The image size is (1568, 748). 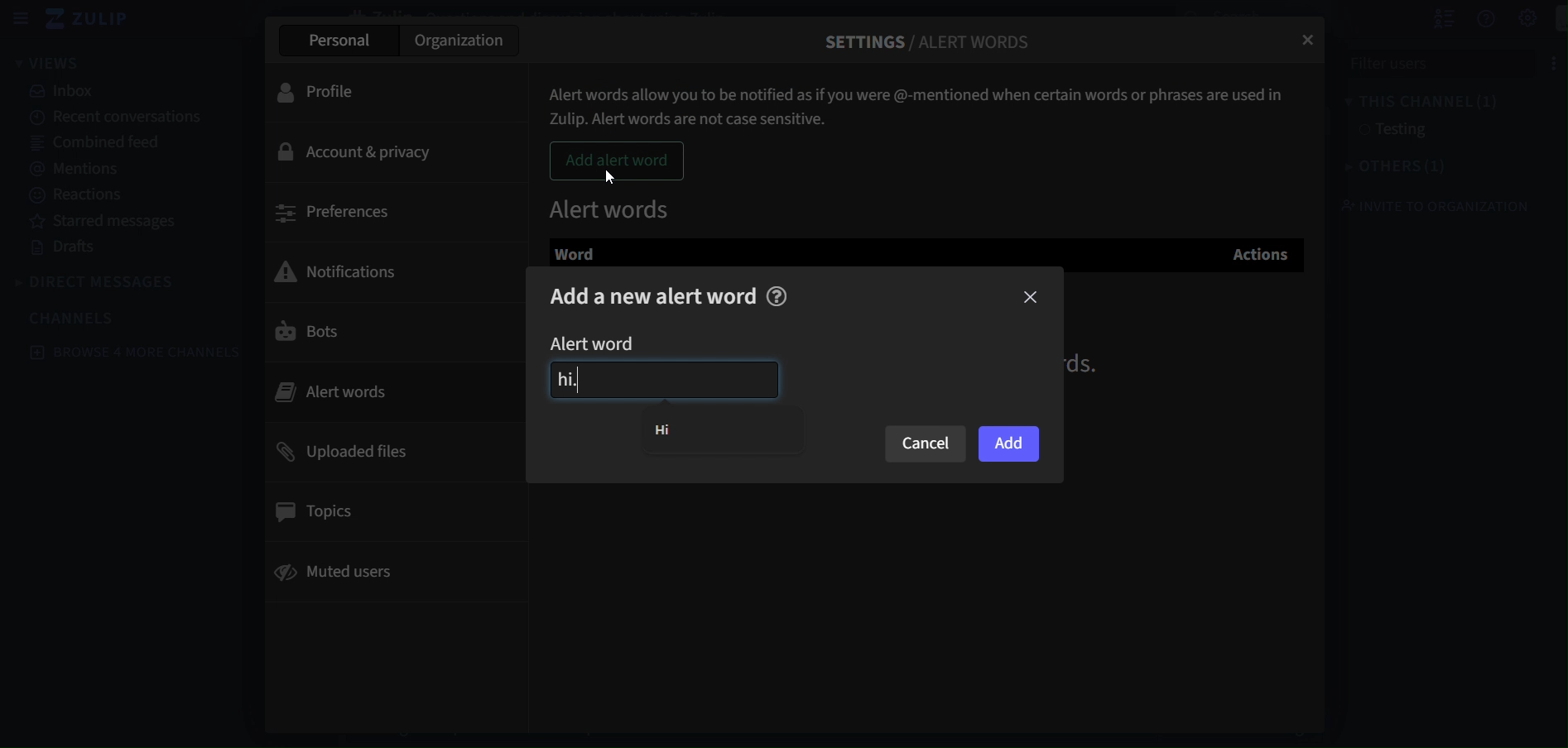 What do you see at coordinates (1511, 19) in the screenshot?
I see `main menu` at bounding box center [1511, 19].